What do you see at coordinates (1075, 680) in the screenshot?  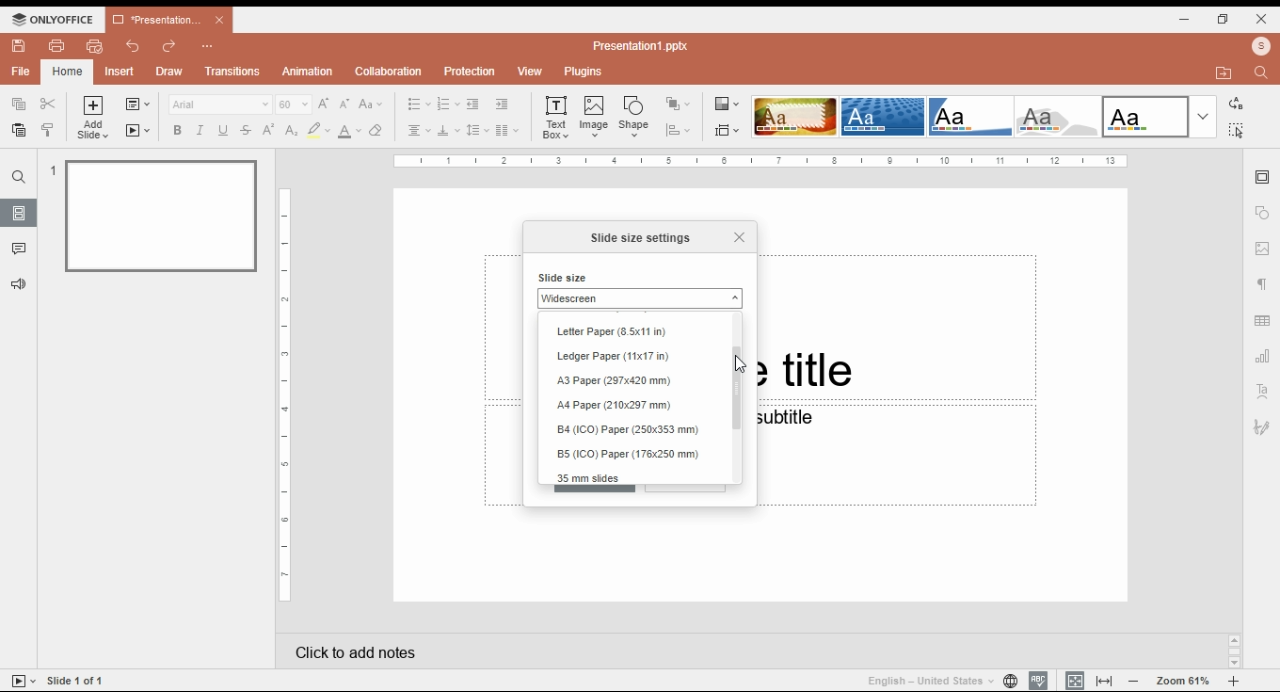 I see `fit to slide` at bounding box center [1075, 680].